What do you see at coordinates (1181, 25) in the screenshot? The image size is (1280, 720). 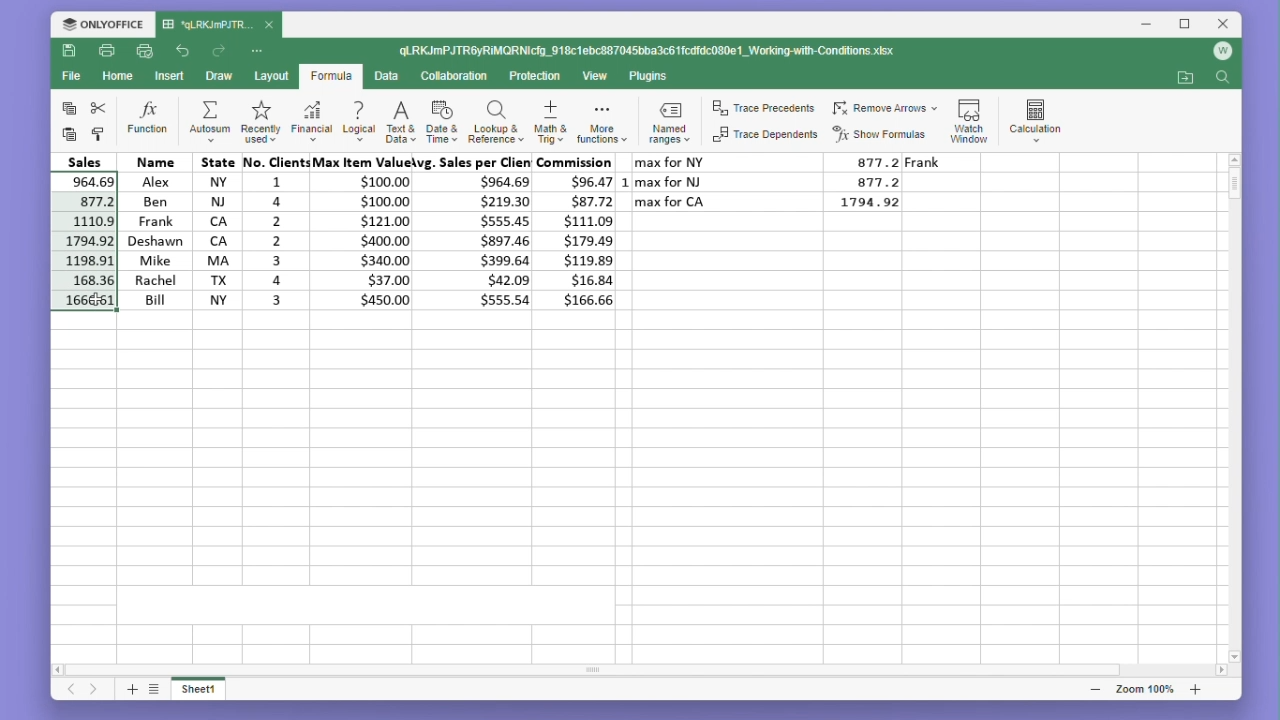 I see `Maximize` at bounding box center [1181, 25].